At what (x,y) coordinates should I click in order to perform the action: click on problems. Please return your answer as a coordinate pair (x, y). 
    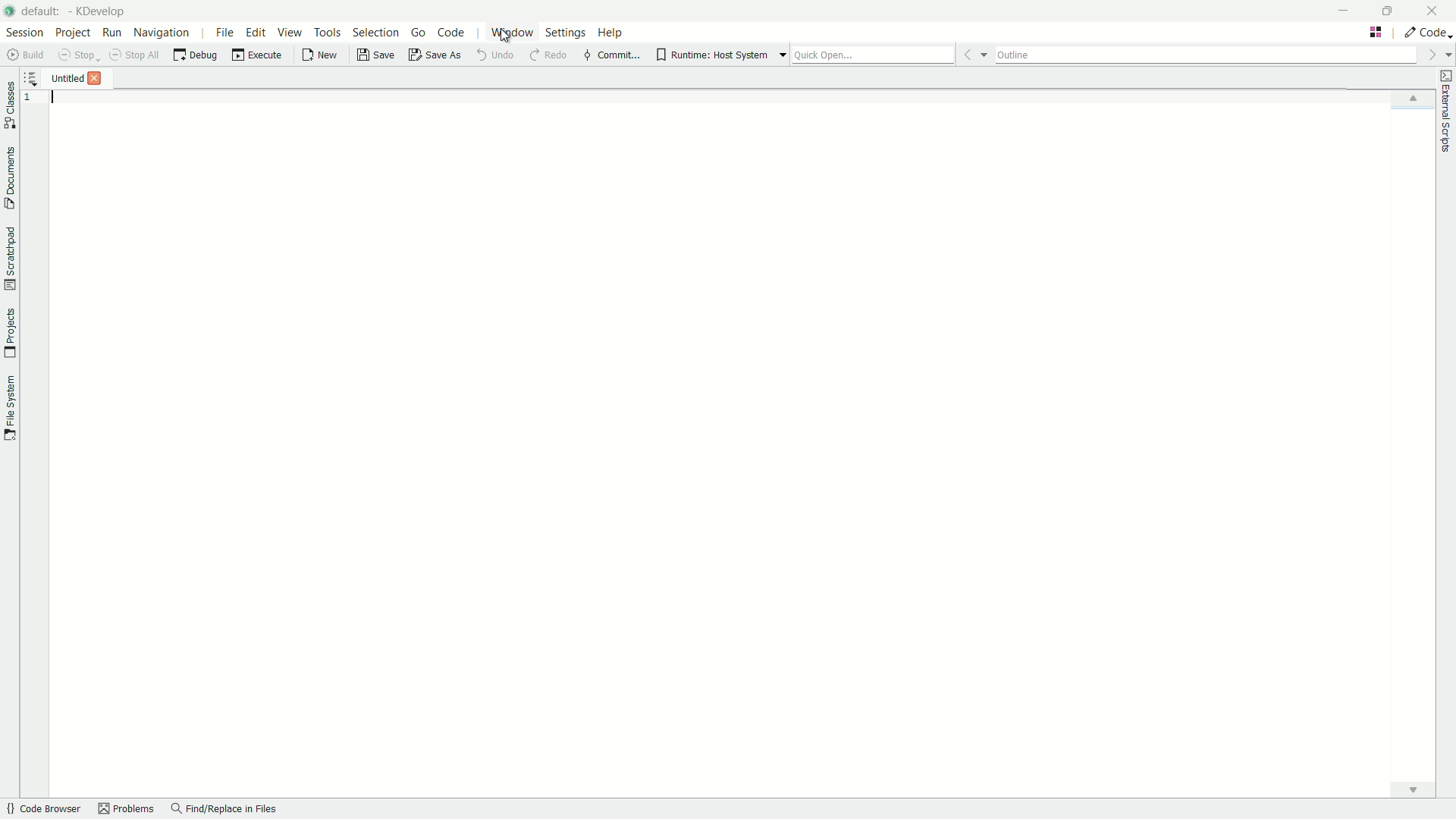
    Looking at the image, I should click on (124, 810).